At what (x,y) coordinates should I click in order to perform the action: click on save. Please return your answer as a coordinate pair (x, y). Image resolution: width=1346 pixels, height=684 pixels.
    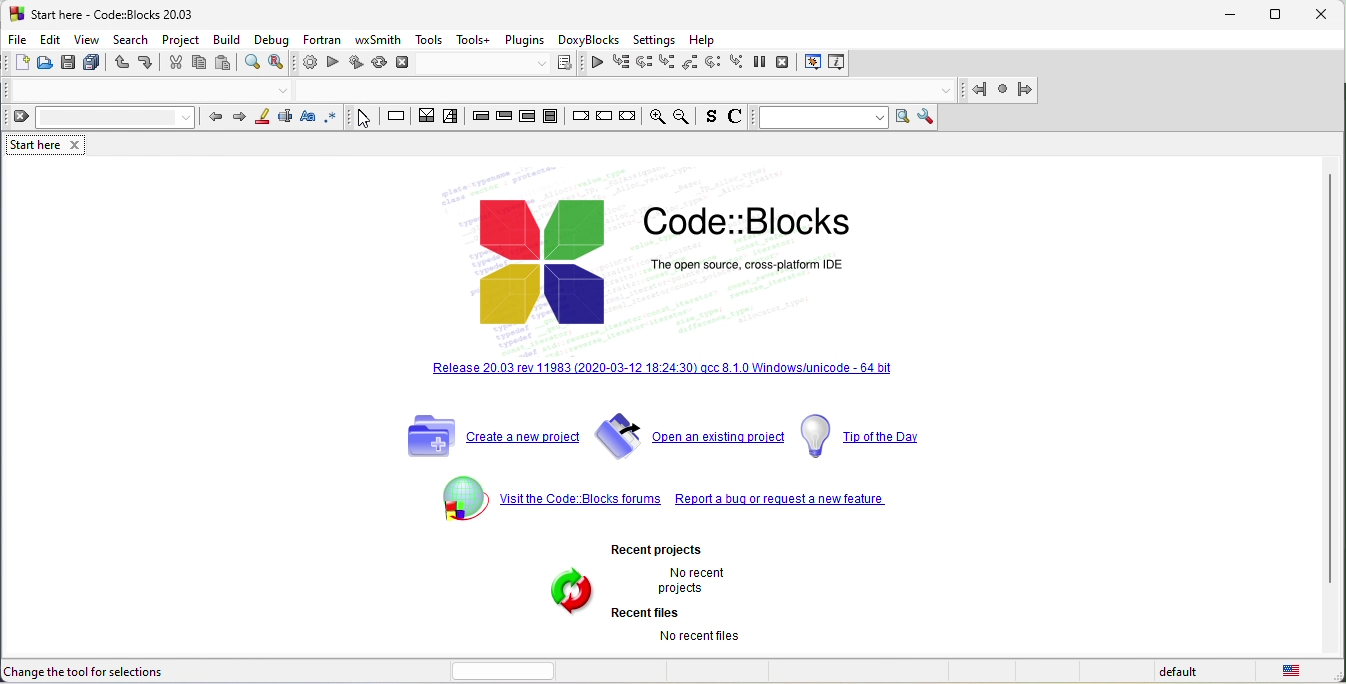
    Looking at the image, I should click on (68, 65).